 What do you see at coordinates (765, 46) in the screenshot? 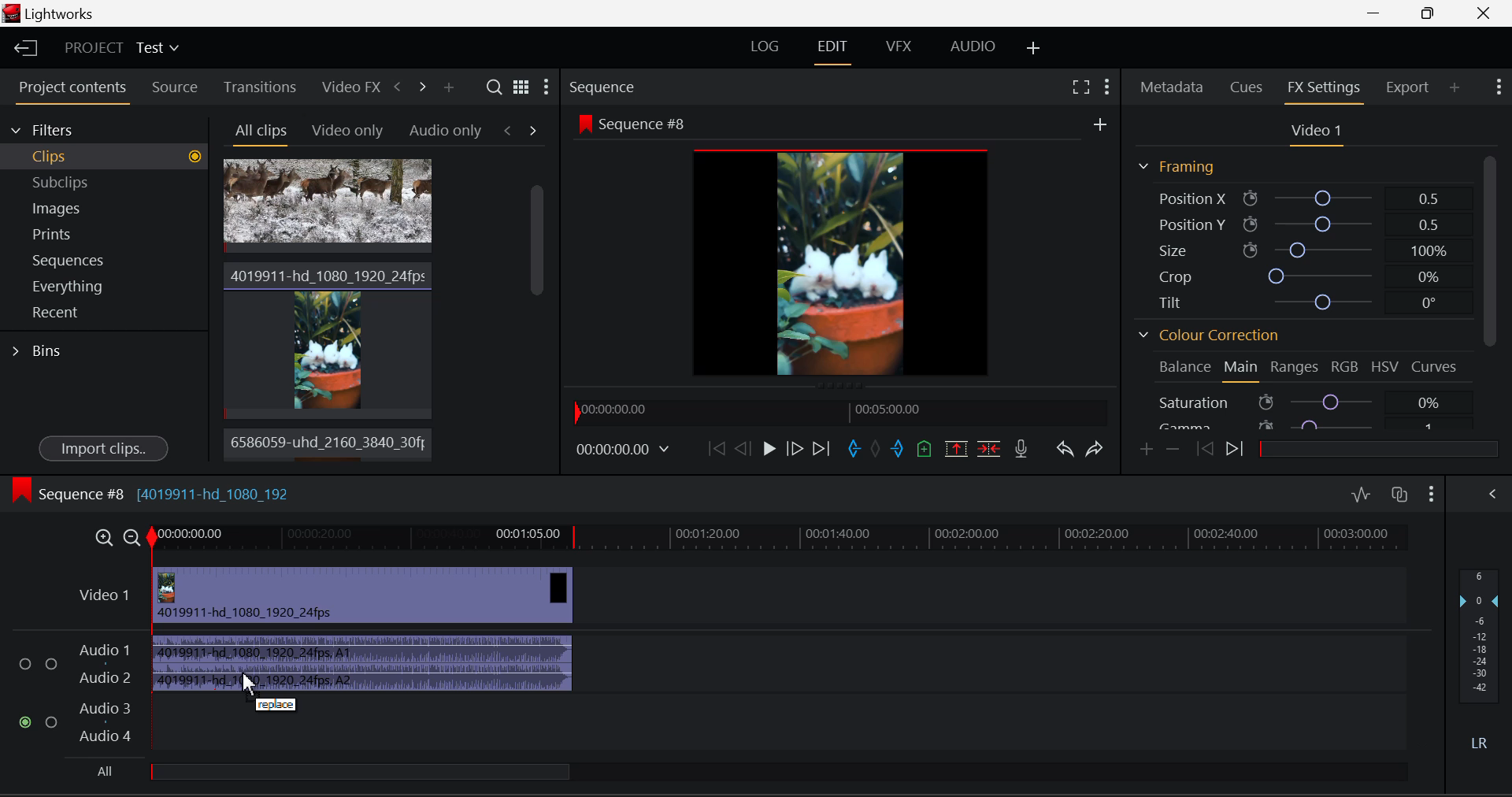
I see `LOG Layout` at bounding box center [765, 46].